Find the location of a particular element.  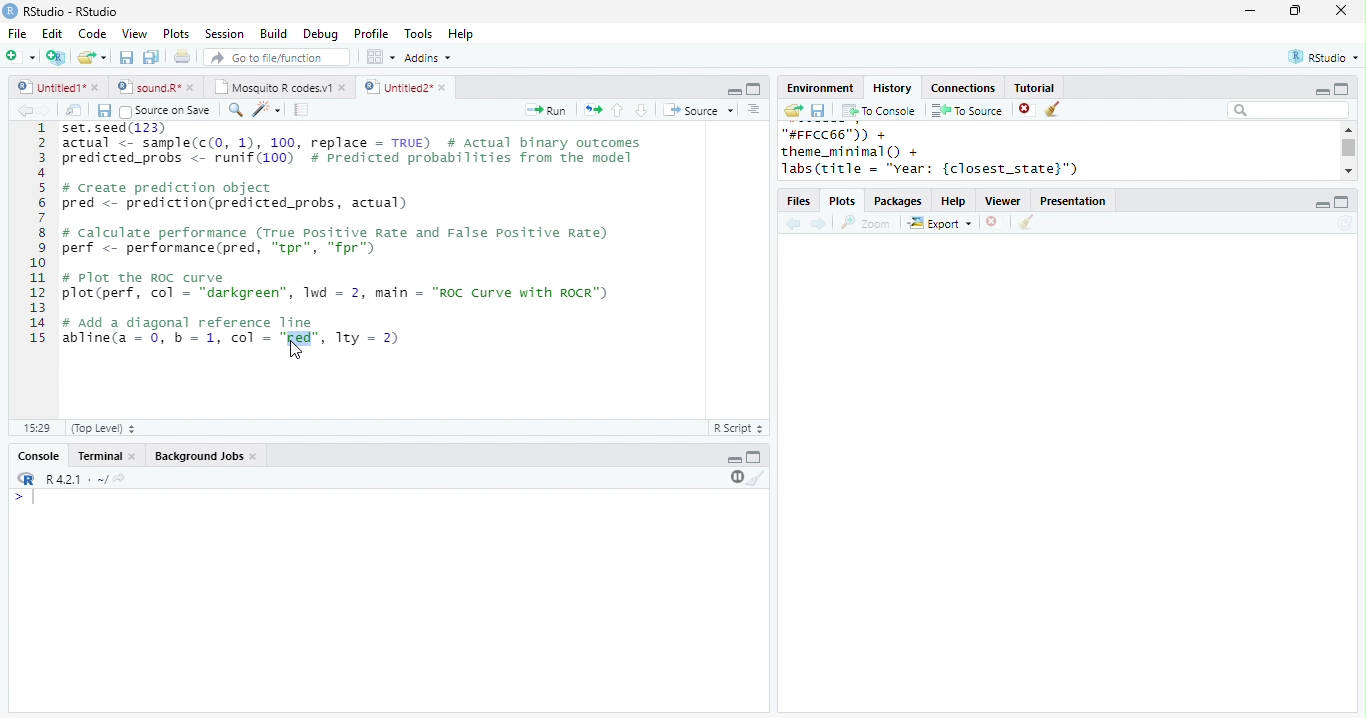

options is located at coordinates (379, 57).